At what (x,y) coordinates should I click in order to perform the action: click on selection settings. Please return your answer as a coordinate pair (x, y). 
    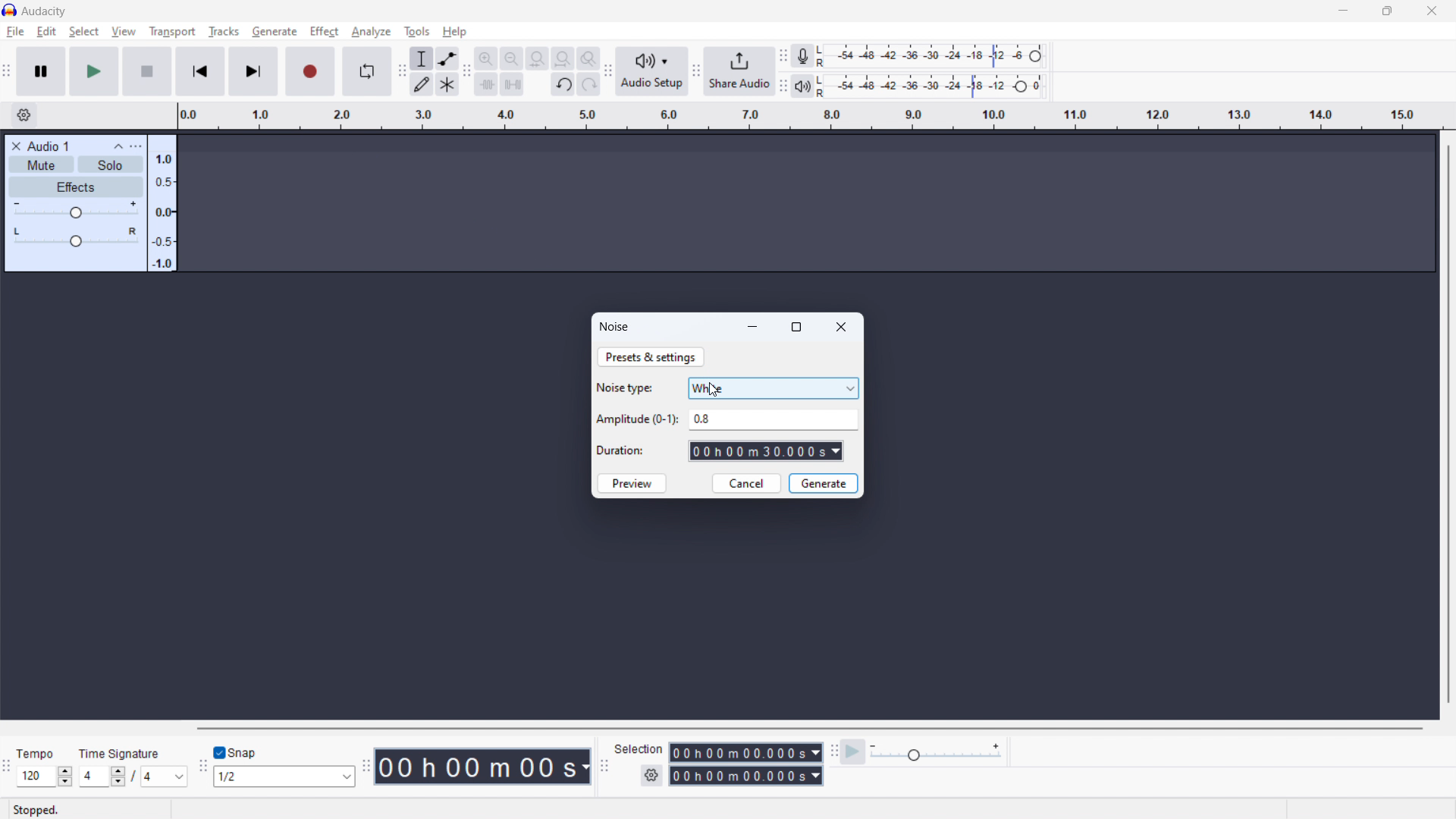
    Looking at the image, I should click on (651, 776).